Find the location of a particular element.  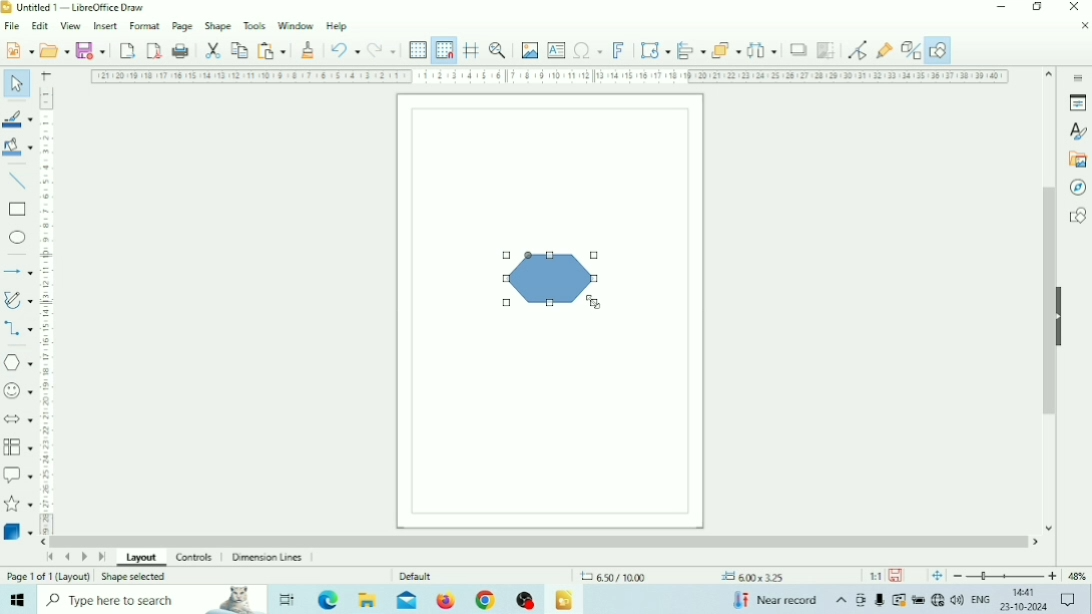

Page number is located at coordinates (48, 577).